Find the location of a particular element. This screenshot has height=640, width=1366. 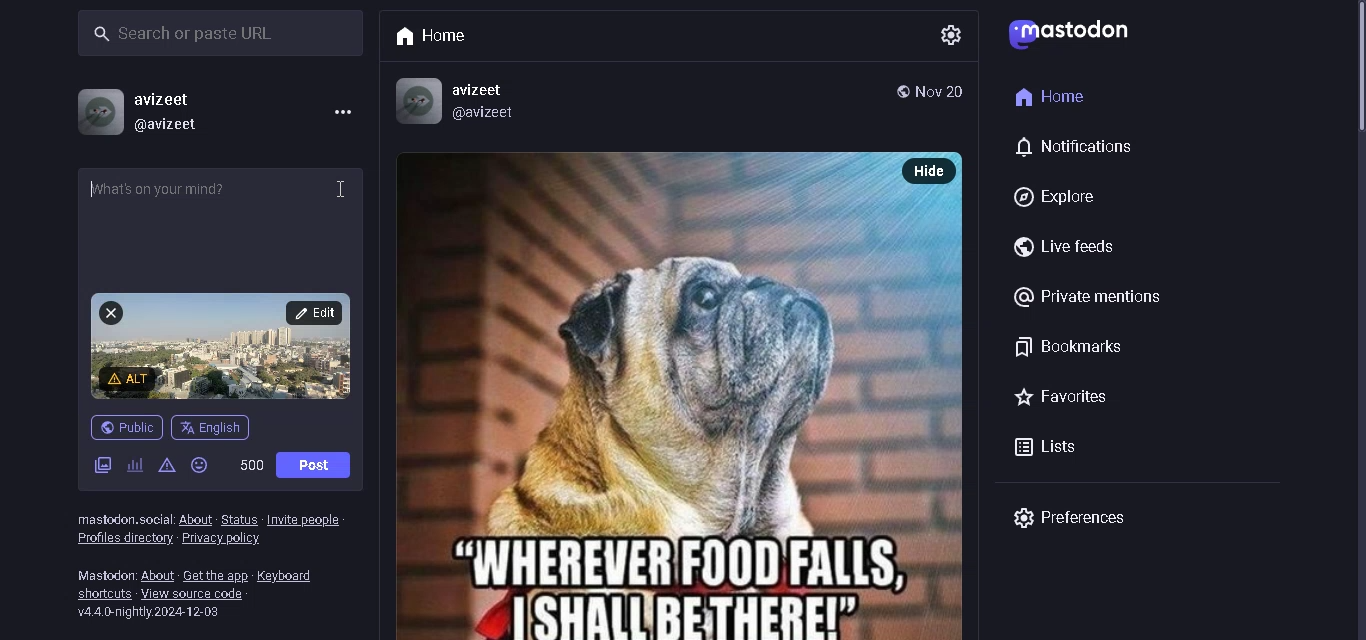

live feeds is located at coordinates (1066, 245).